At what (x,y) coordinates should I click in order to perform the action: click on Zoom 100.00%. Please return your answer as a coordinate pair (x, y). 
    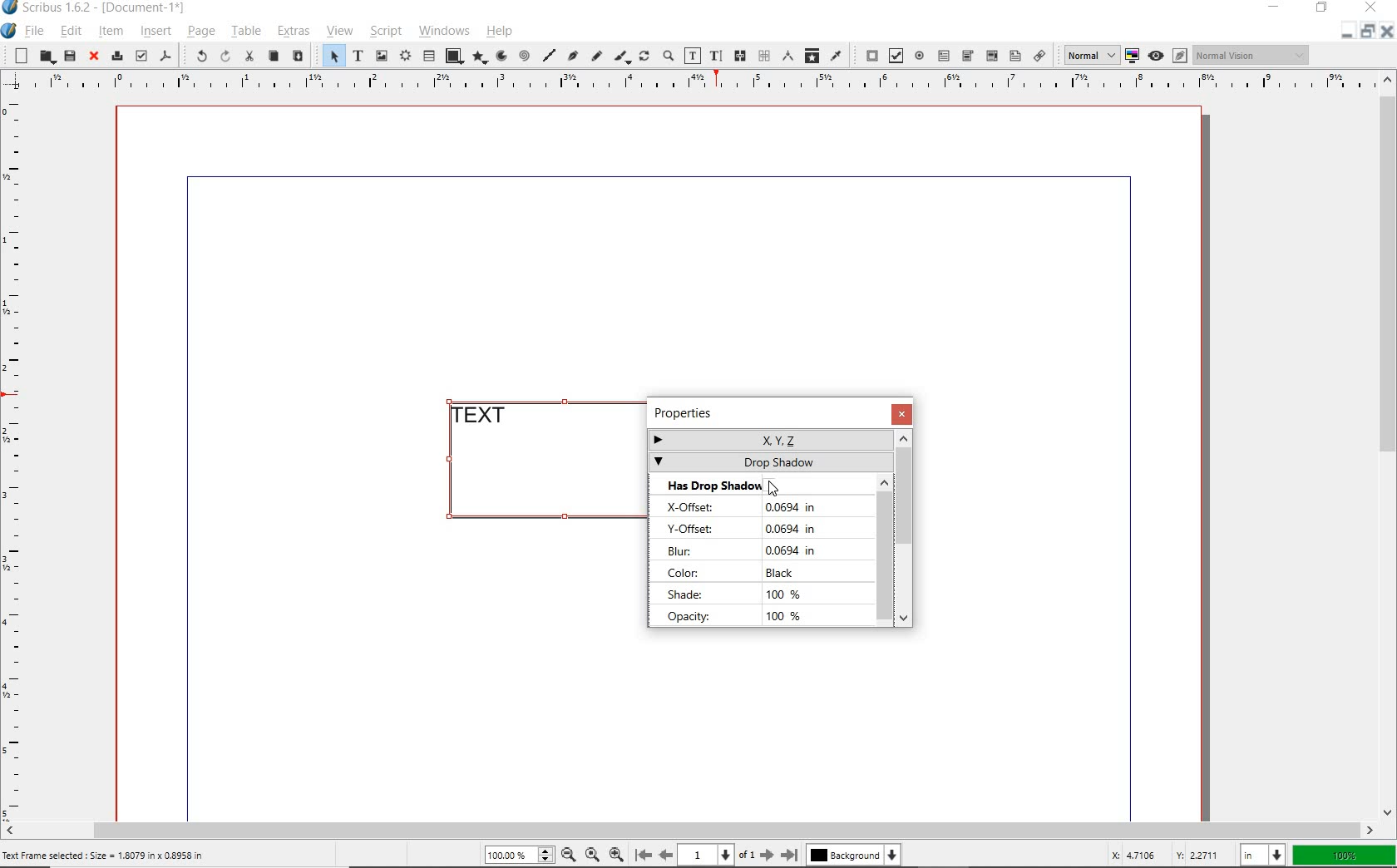
    Looking at the image, I should click on (520, 856).